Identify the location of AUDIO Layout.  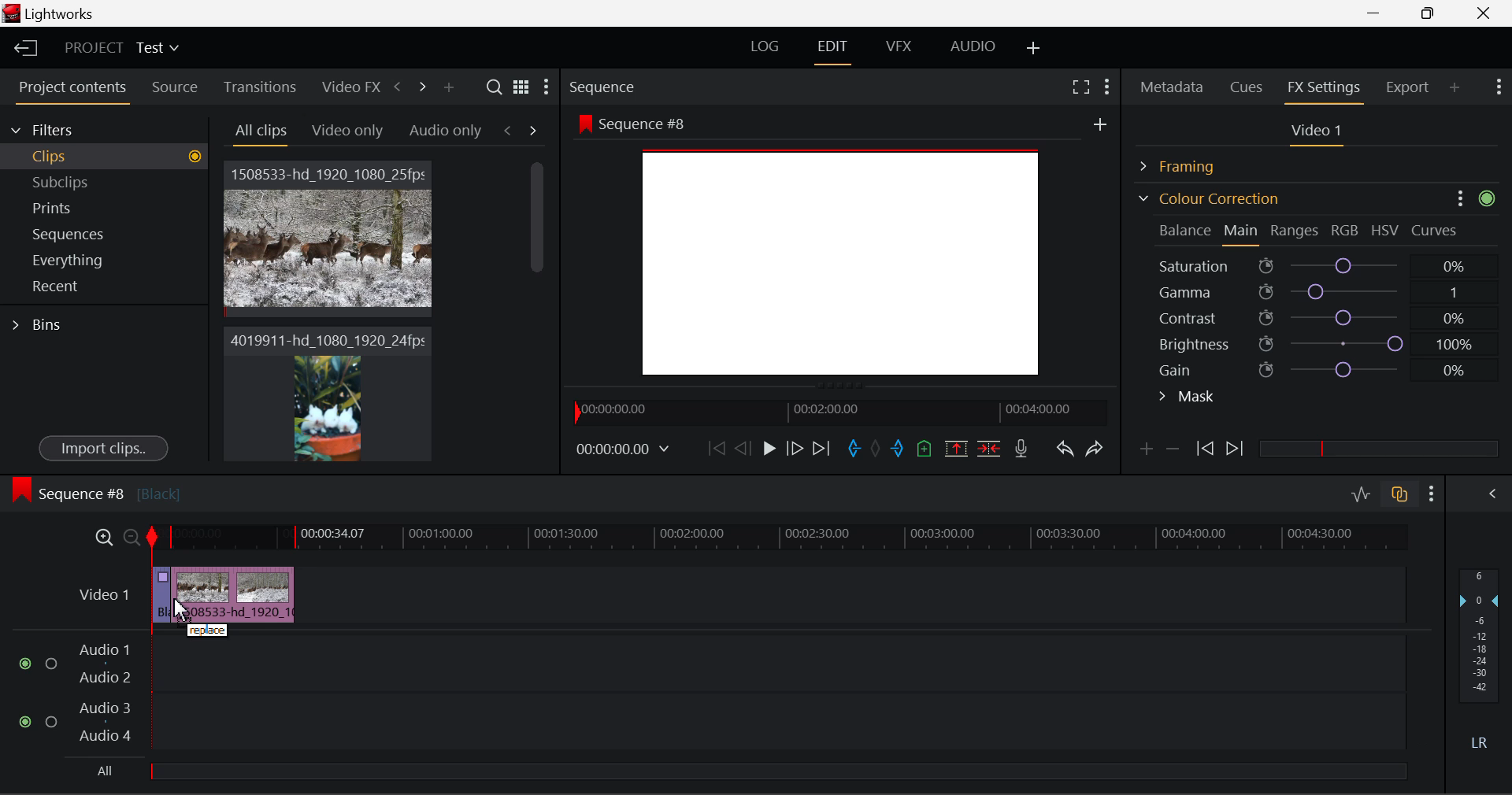
(972, 46).